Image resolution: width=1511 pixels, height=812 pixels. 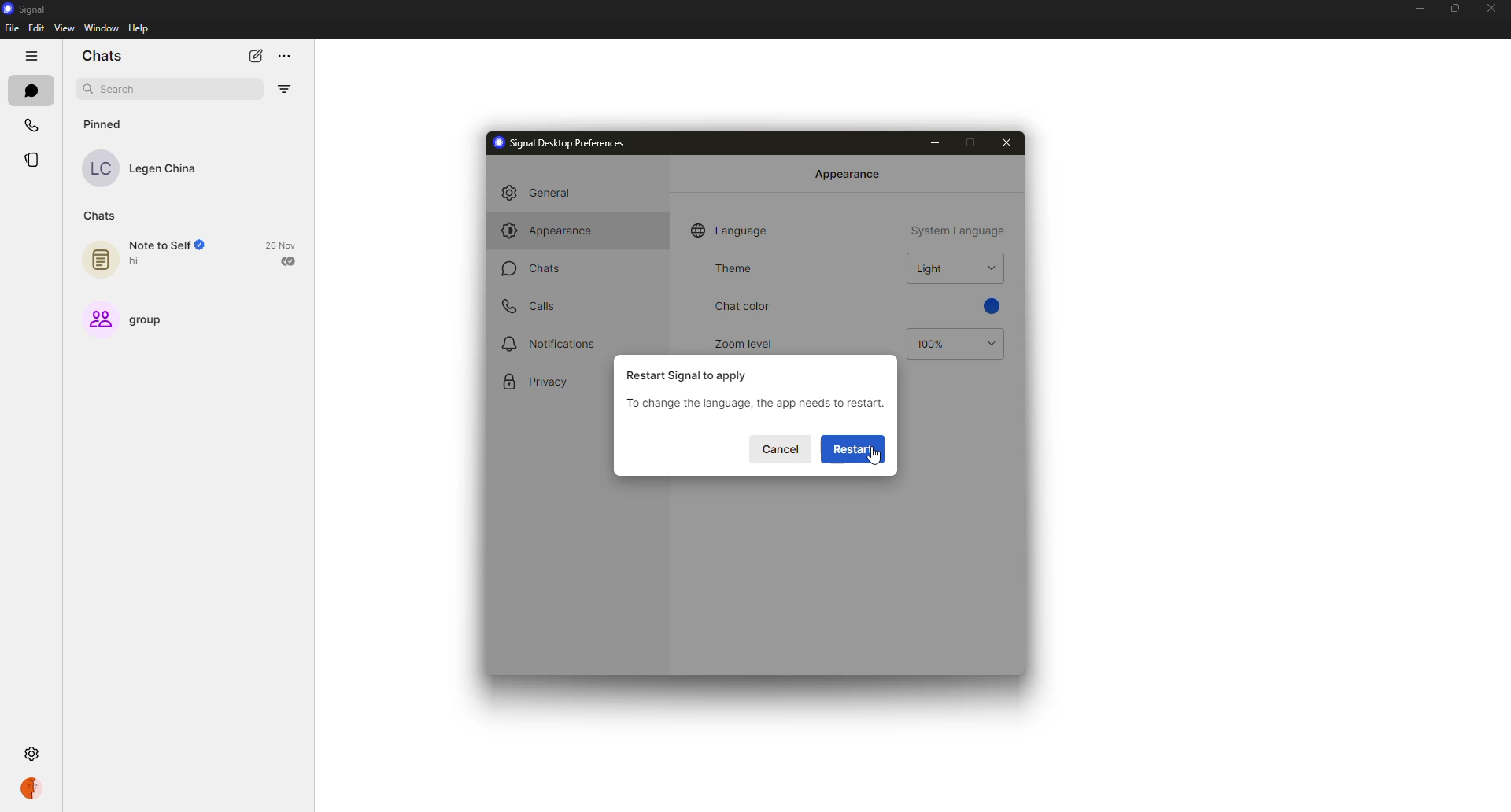 I want to click on system language, so click(x=959, y=231).